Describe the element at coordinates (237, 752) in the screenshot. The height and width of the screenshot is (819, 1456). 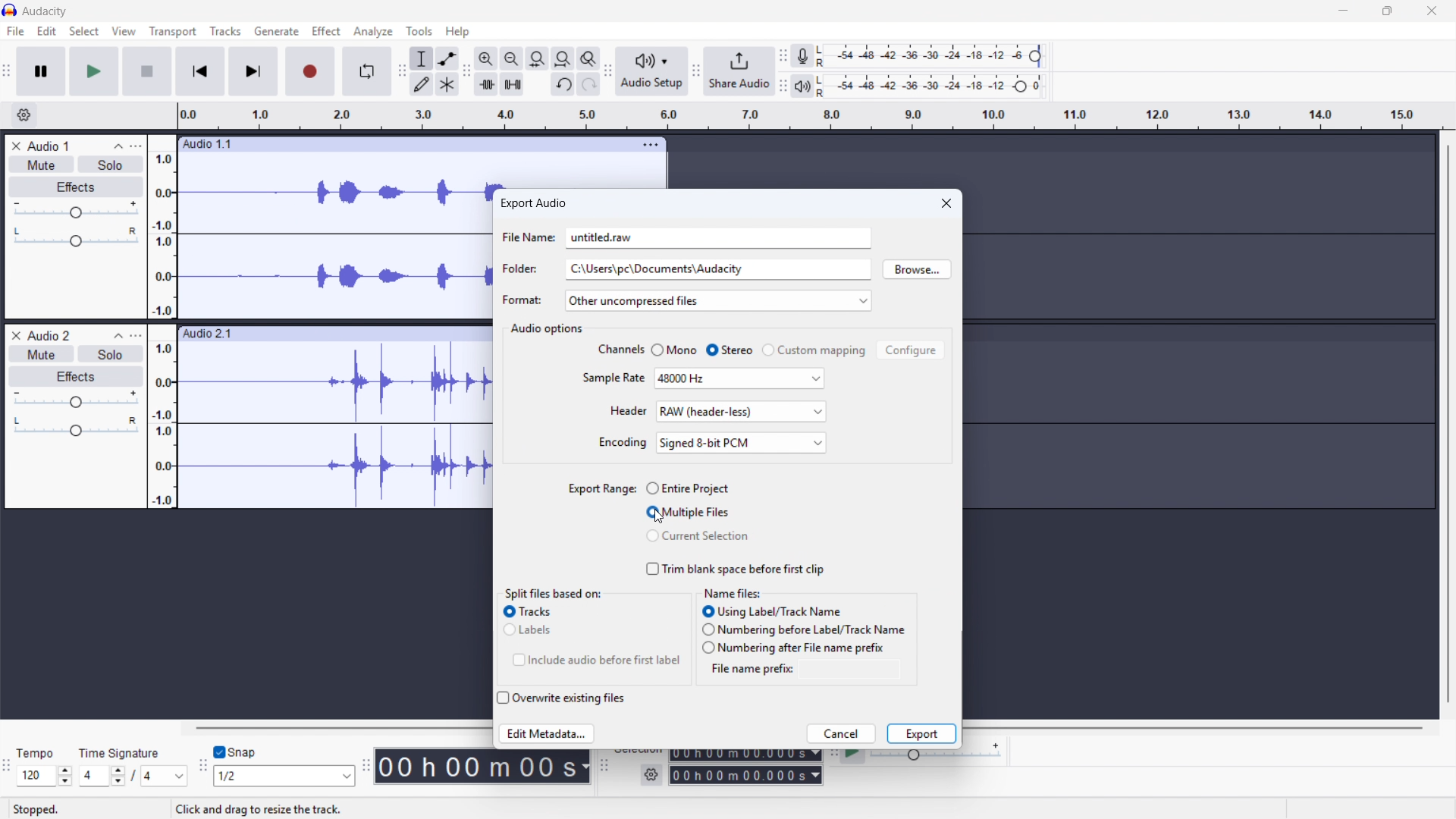
I see `Toggle snap` at that location.